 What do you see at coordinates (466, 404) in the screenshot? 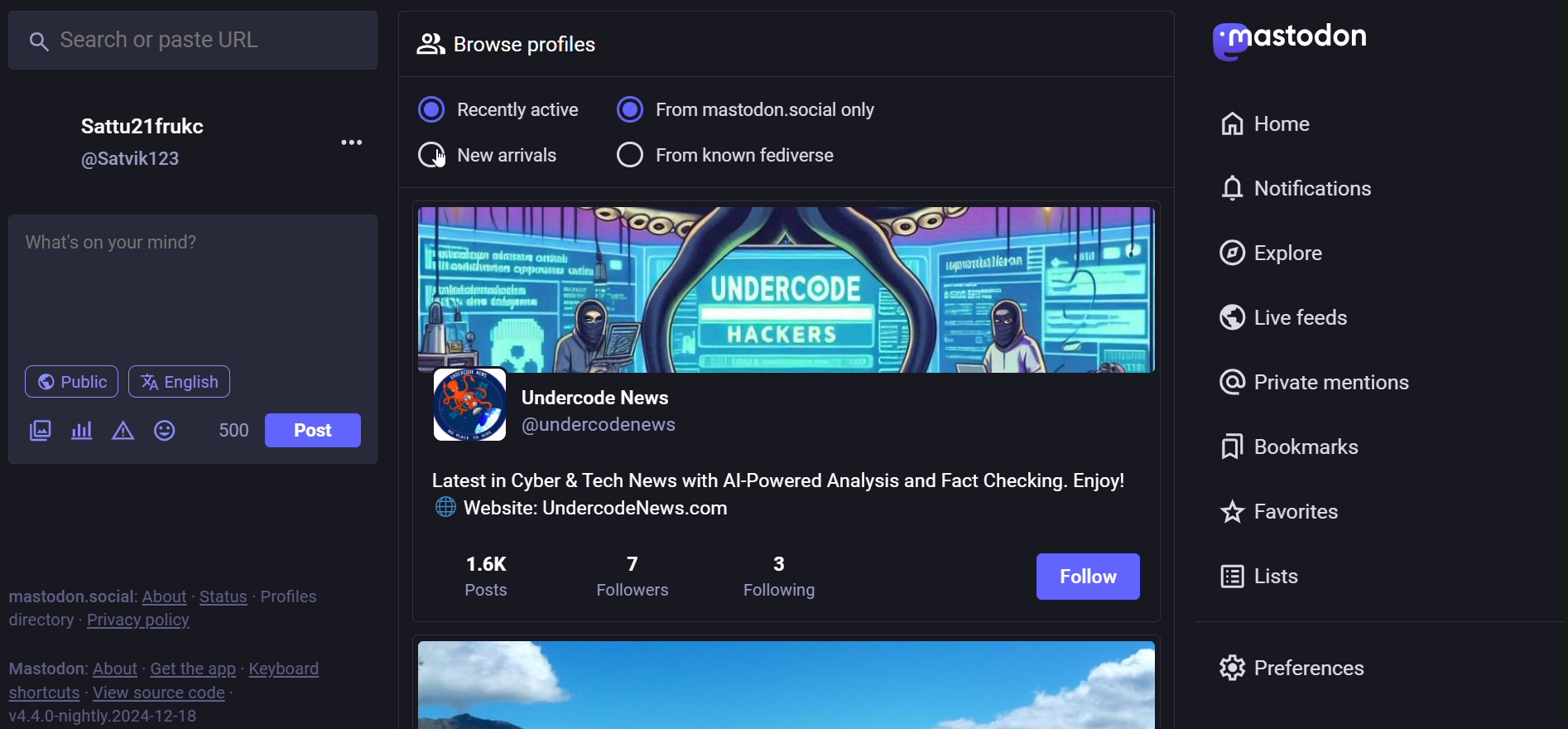
I see `profile picture` at bounding box center [466, 404].